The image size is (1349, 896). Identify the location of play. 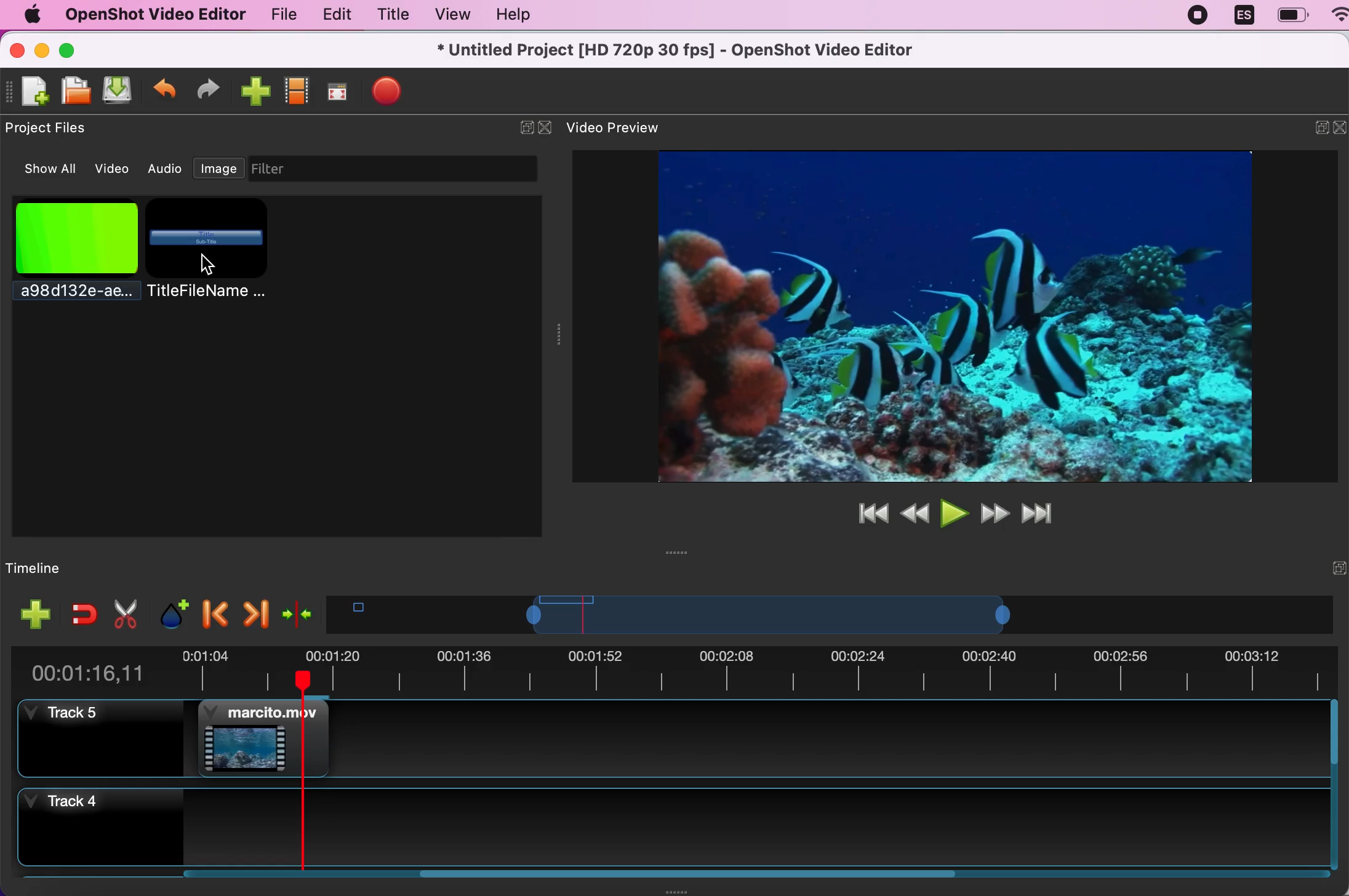
(953, 511).